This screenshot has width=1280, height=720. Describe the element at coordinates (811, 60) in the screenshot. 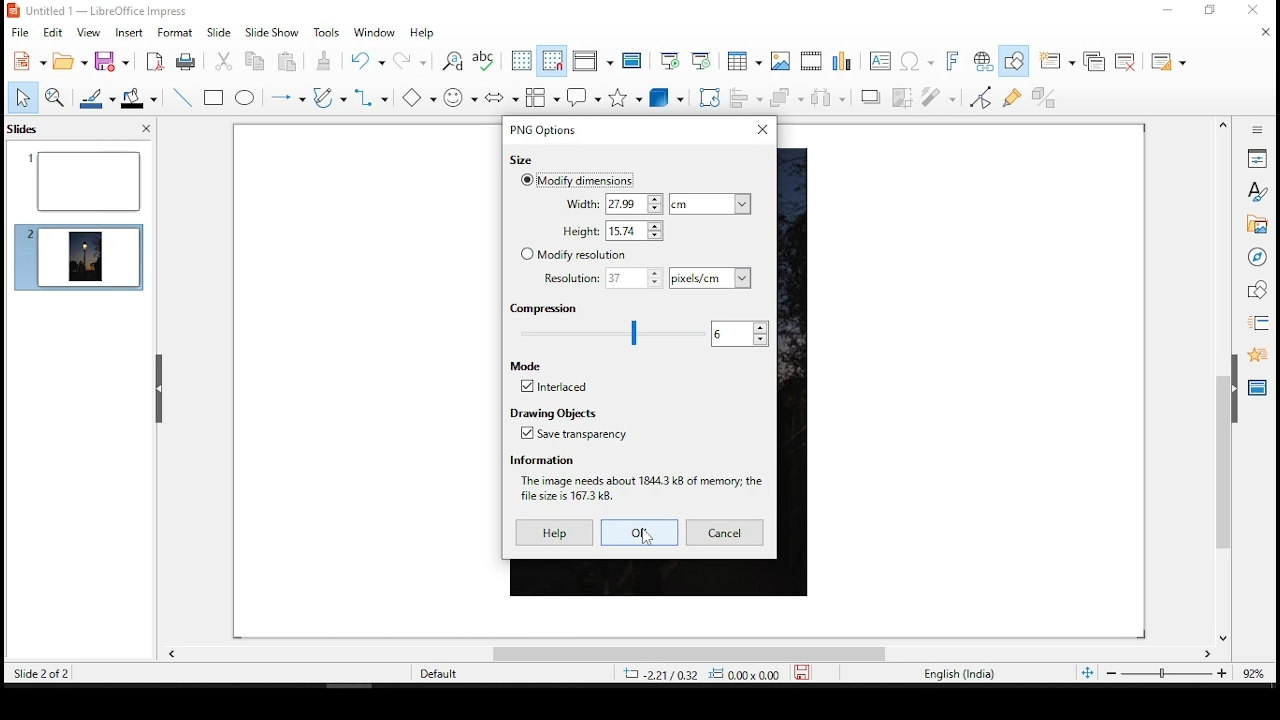

I see `insert audio and video` at that location.